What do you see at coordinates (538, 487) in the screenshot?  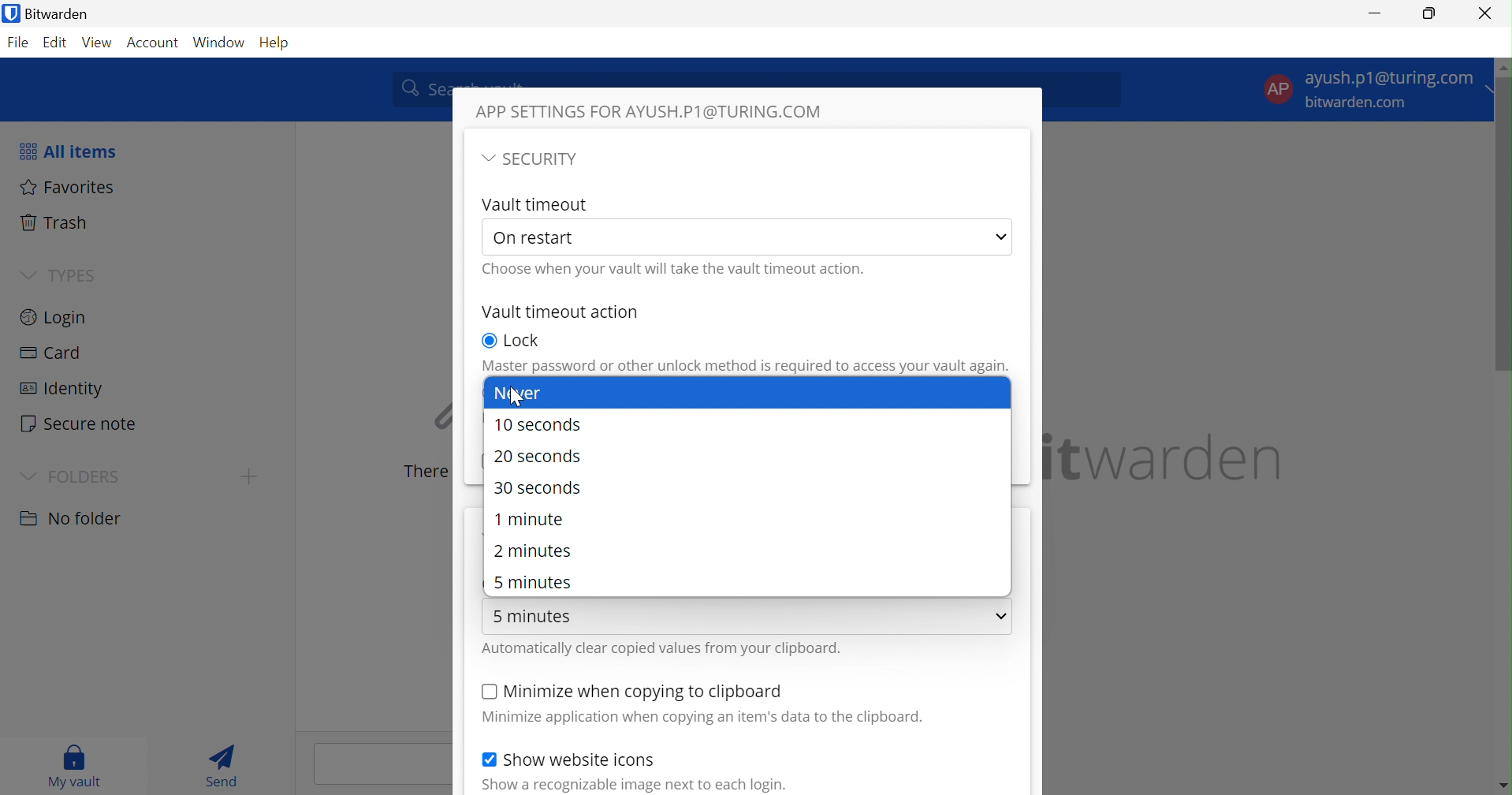 I see `30 seconds` at bounding box center [538, 487].